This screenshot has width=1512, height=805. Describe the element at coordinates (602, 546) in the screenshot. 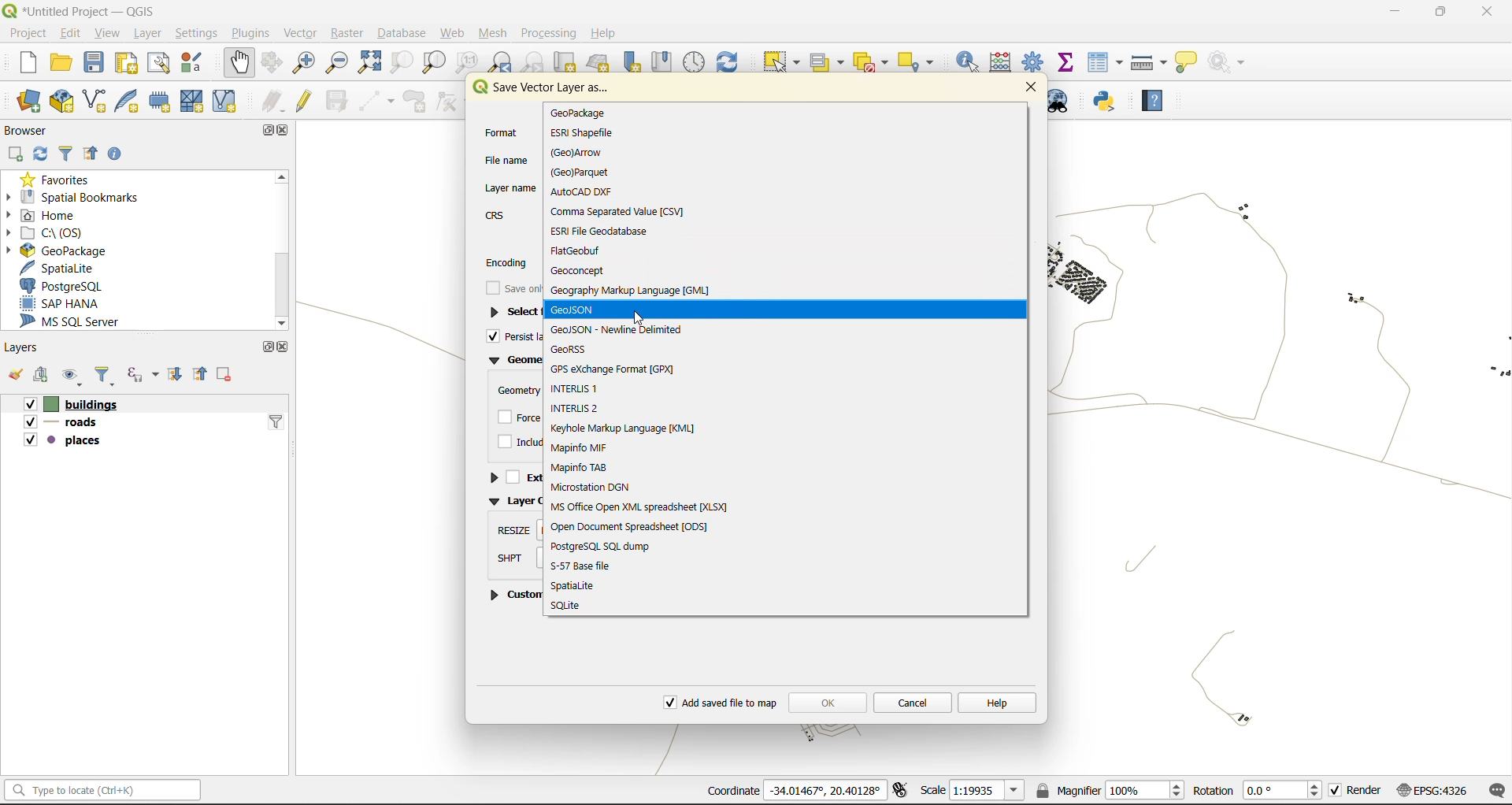

I see `postgresql sql dump` at that location.